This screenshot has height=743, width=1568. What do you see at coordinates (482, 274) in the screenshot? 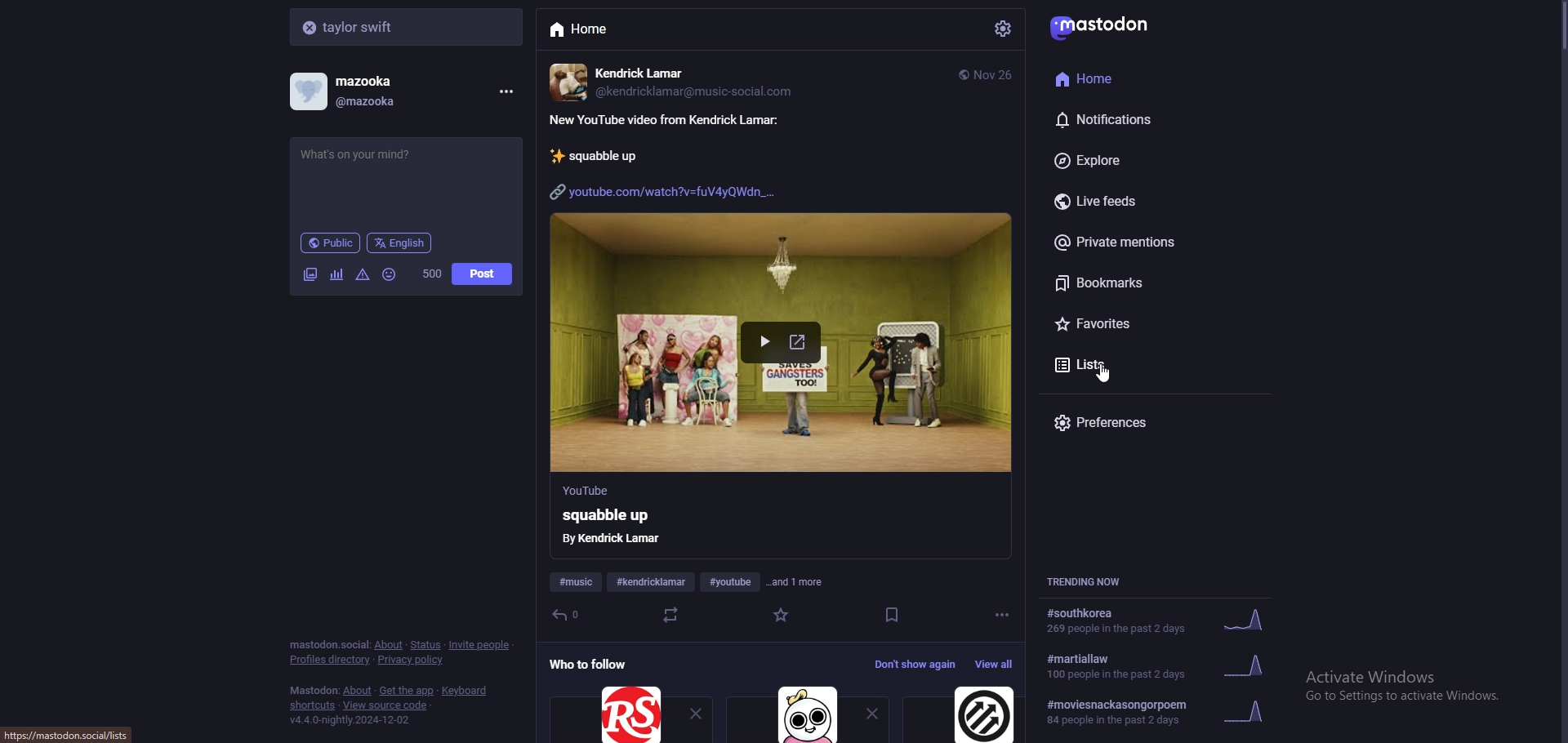
I see `post` at bounding box center [482, 274].